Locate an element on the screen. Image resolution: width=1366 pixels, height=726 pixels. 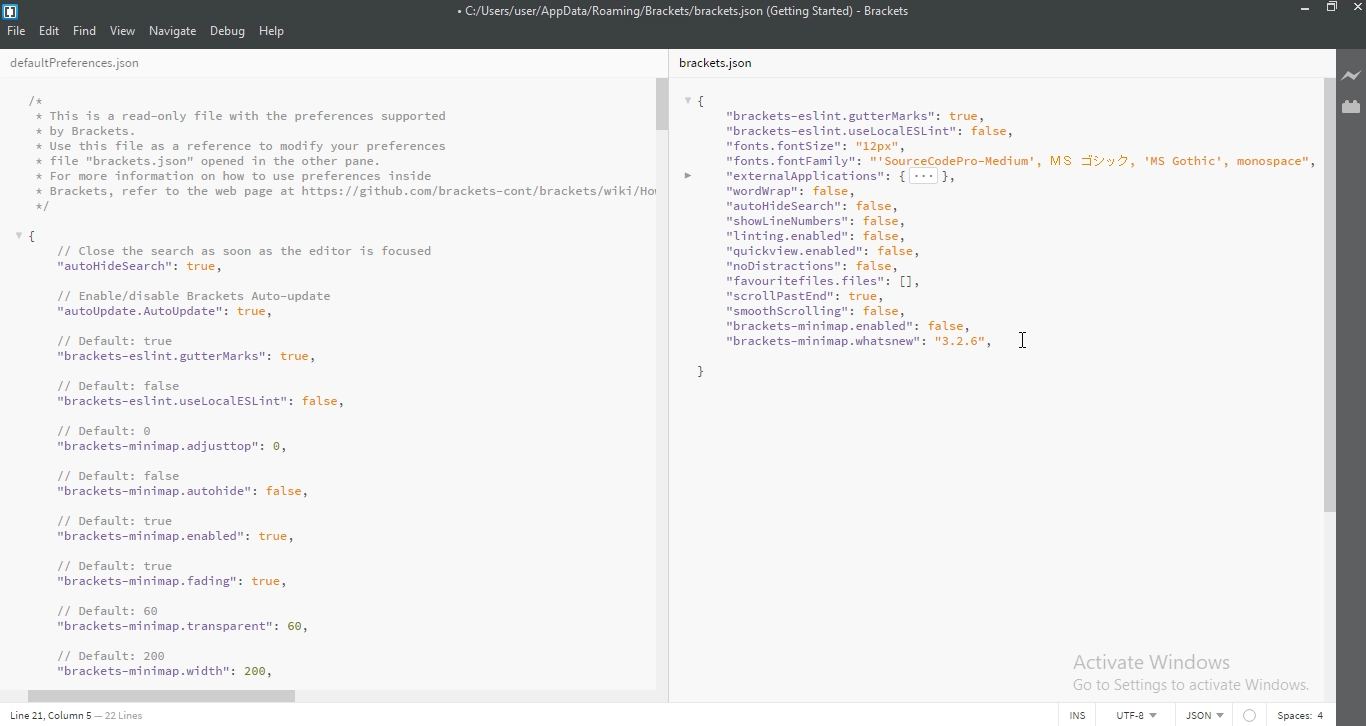
help is located at coordinates (272, 32).